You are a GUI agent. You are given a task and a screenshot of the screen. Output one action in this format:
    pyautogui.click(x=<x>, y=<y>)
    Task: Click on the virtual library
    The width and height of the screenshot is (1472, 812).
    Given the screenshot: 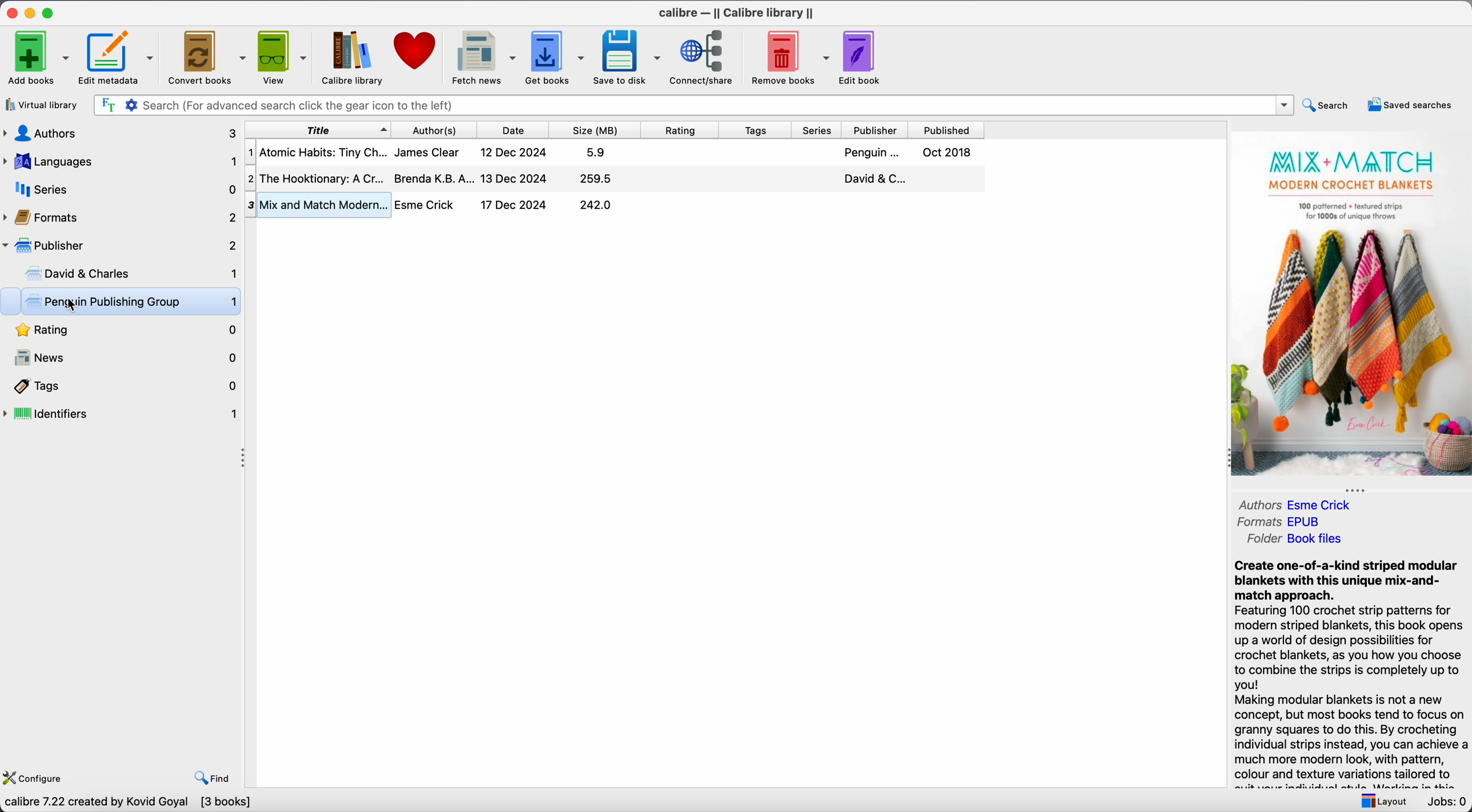 What is the action you would take?
    pyautogui.click(x=44, y=105)
    